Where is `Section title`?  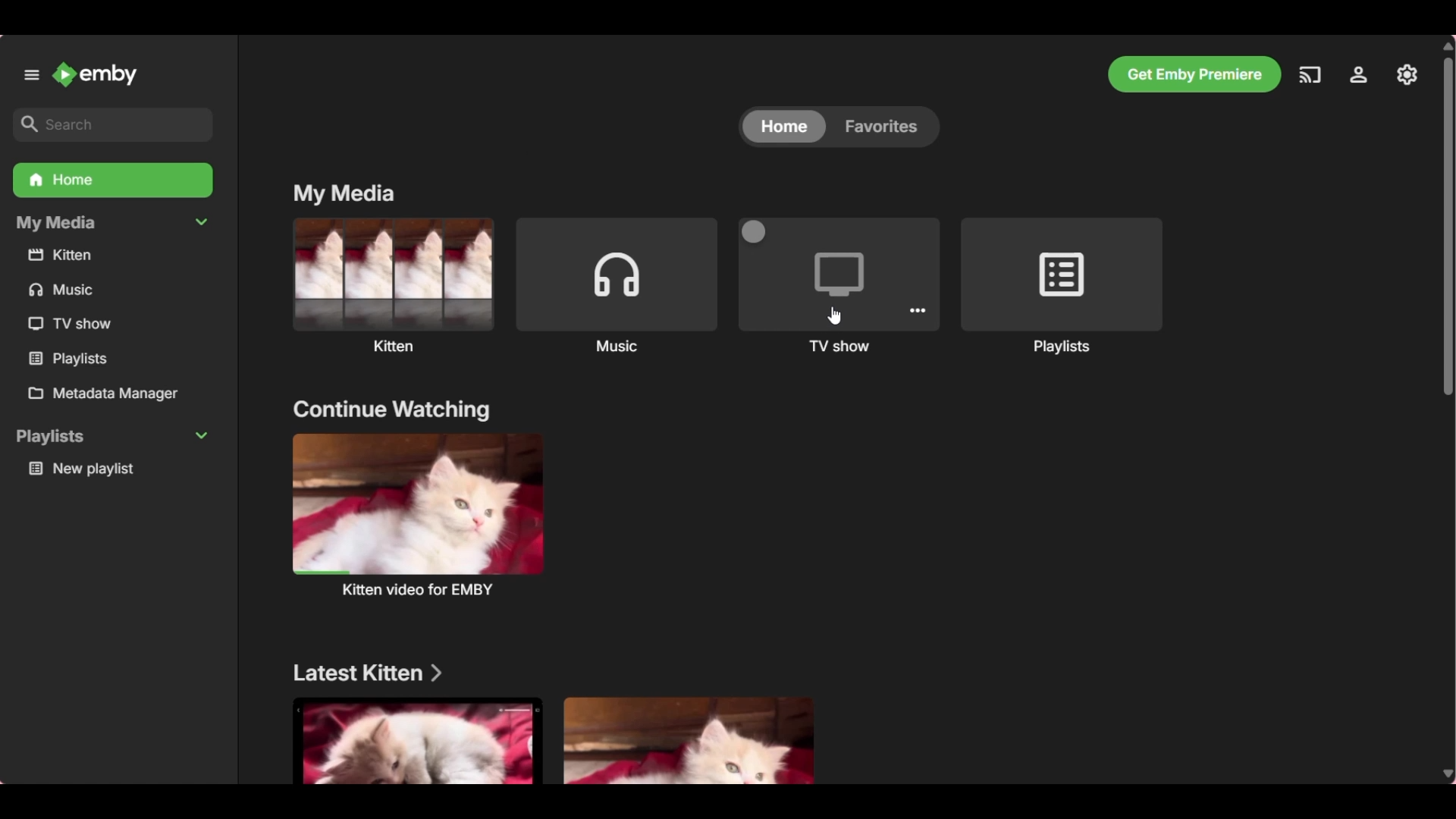
Section title is located at coordinates (368, 673).